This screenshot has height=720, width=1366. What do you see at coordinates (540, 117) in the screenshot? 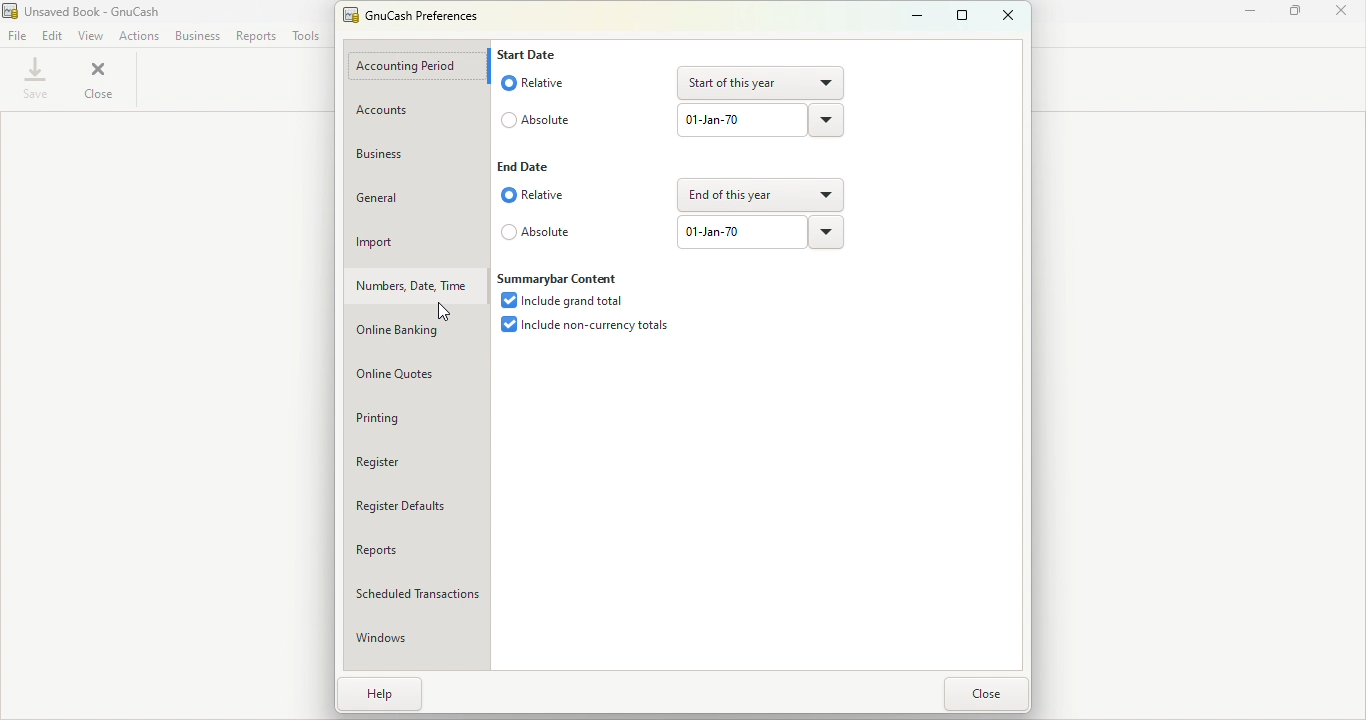
I see `Absolute` at bounding box center [540, 117].